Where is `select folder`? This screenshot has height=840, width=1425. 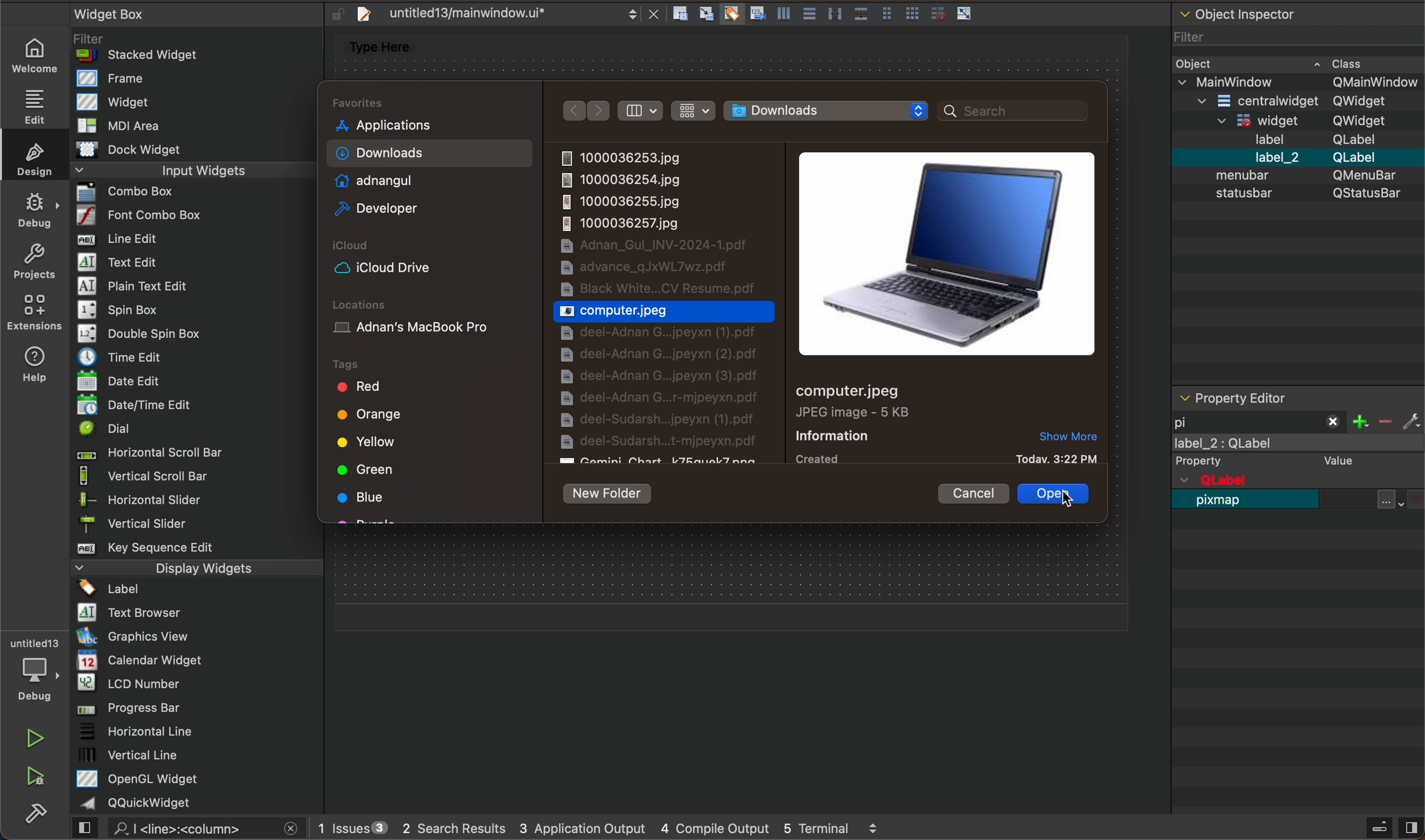 select folder is located at coordinates (832, 110).